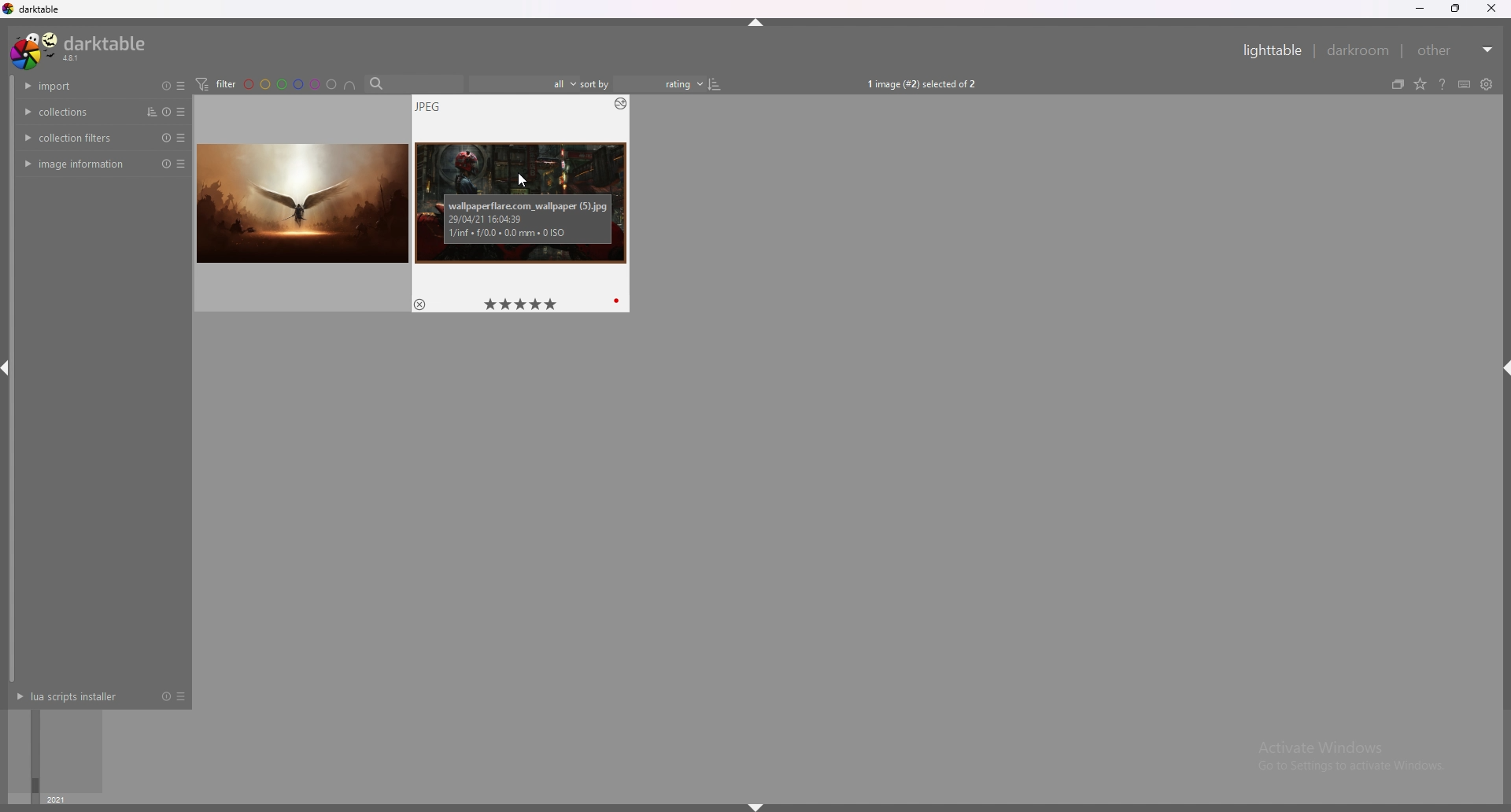 This screenshot has height=812, width=1511. What do you see at coordinates (184, 112) in the screenshot?
I see `presets` at bounding box center [184, 112].